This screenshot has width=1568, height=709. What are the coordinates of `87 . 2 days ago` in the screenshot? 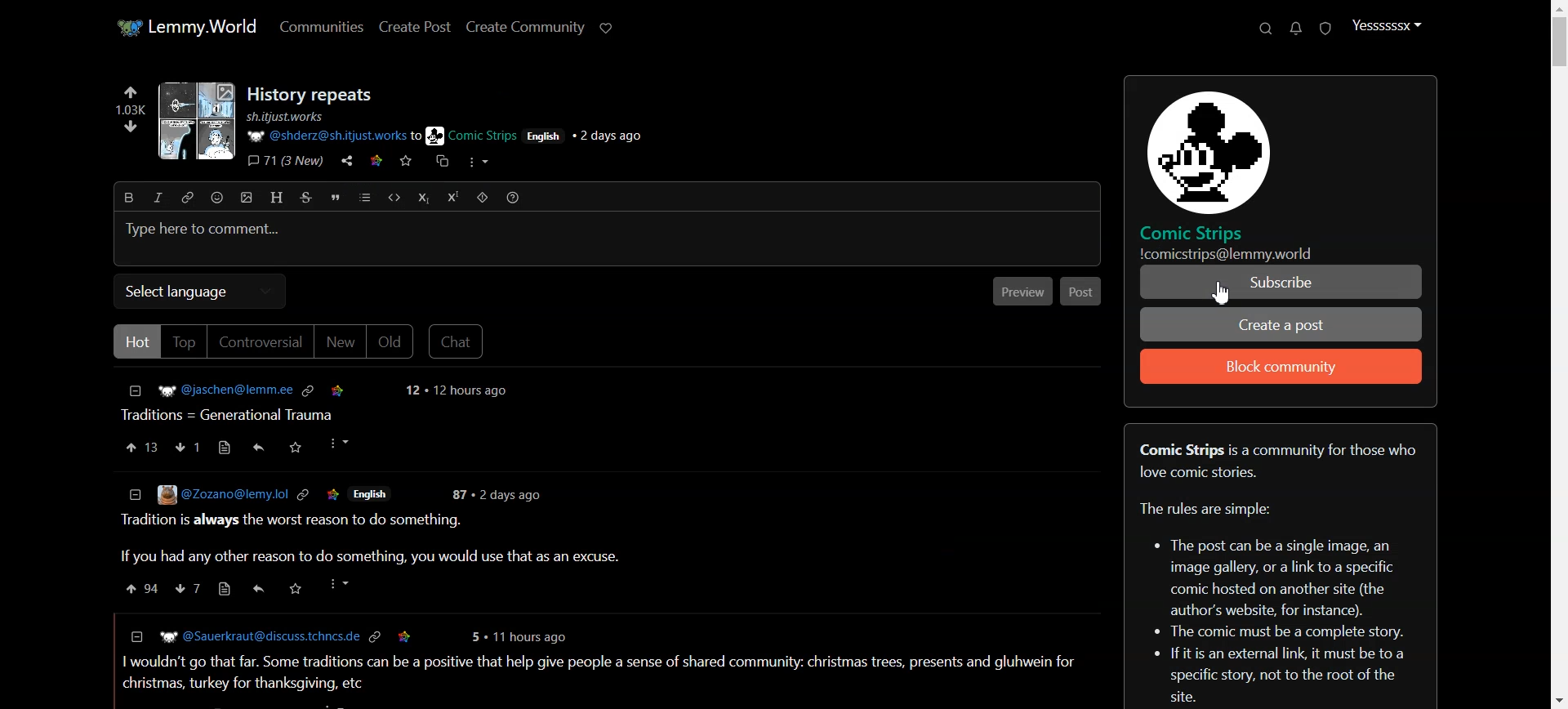 It's located at (500, 494).